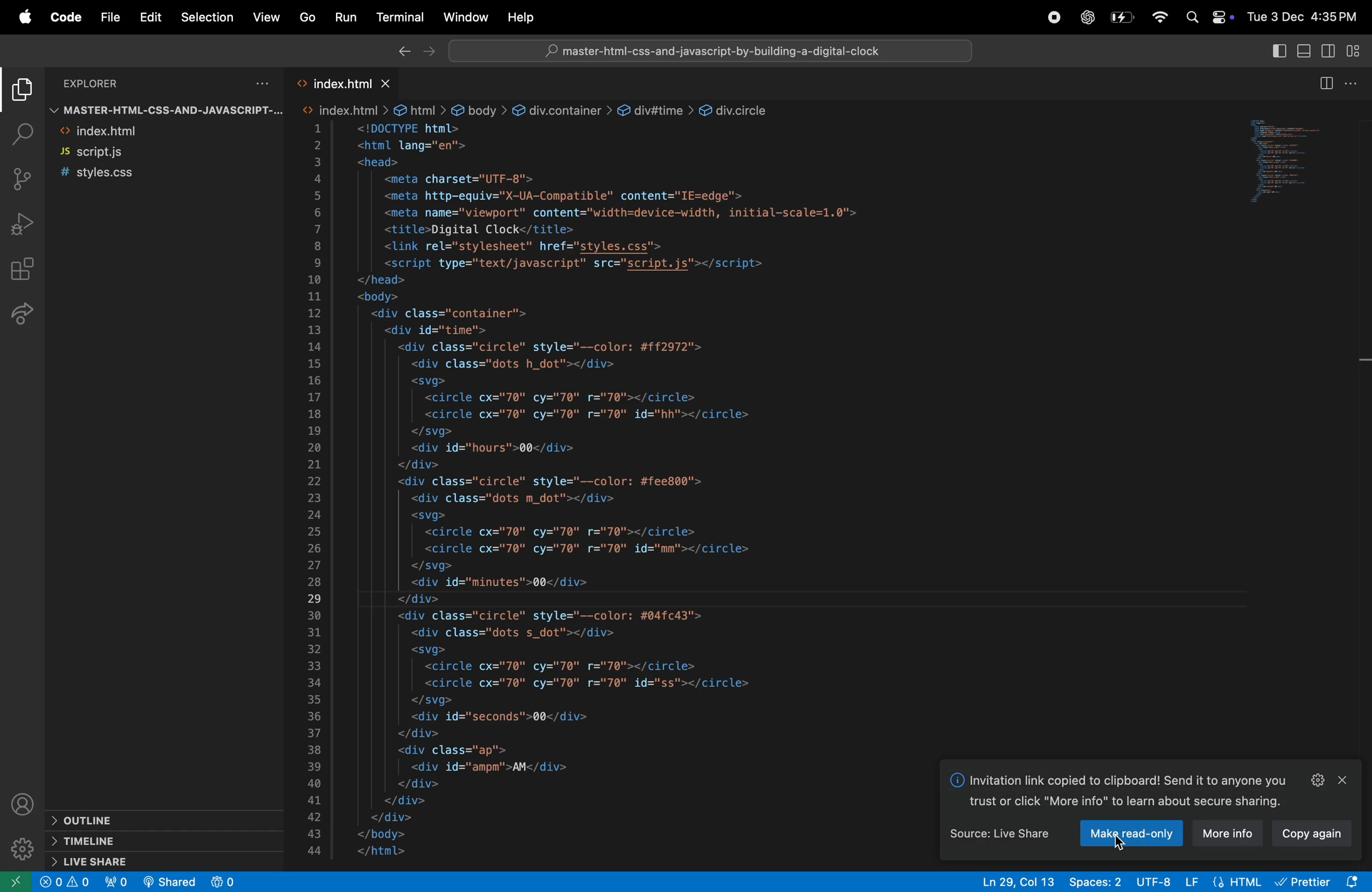 This screenshot has width=1372, height=892. I want to click on cursor, so click(1116, 841).